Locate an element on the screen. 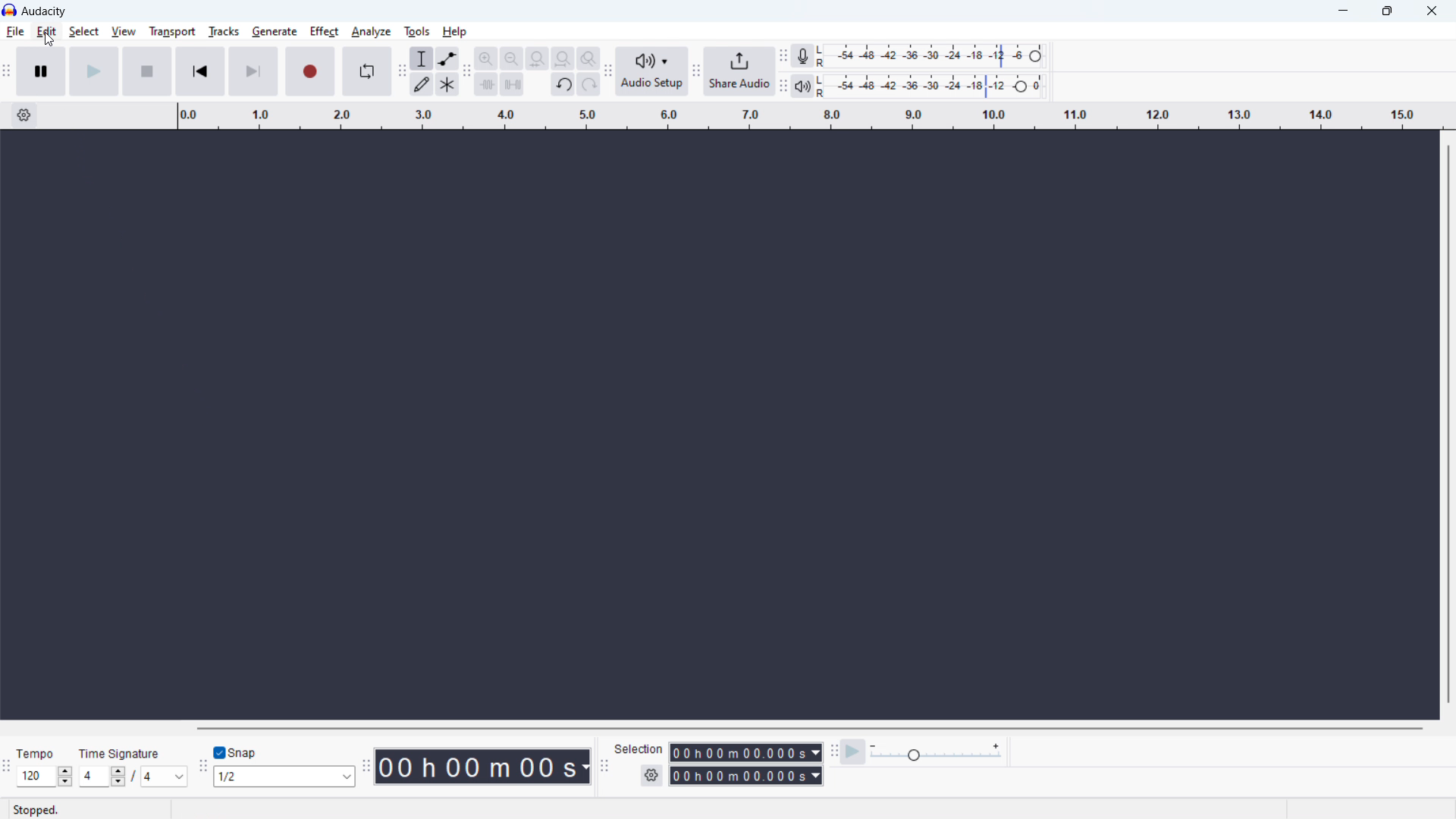 This screenshot has height=819, width=1456. play at speed is located at coordinates (853, 752).